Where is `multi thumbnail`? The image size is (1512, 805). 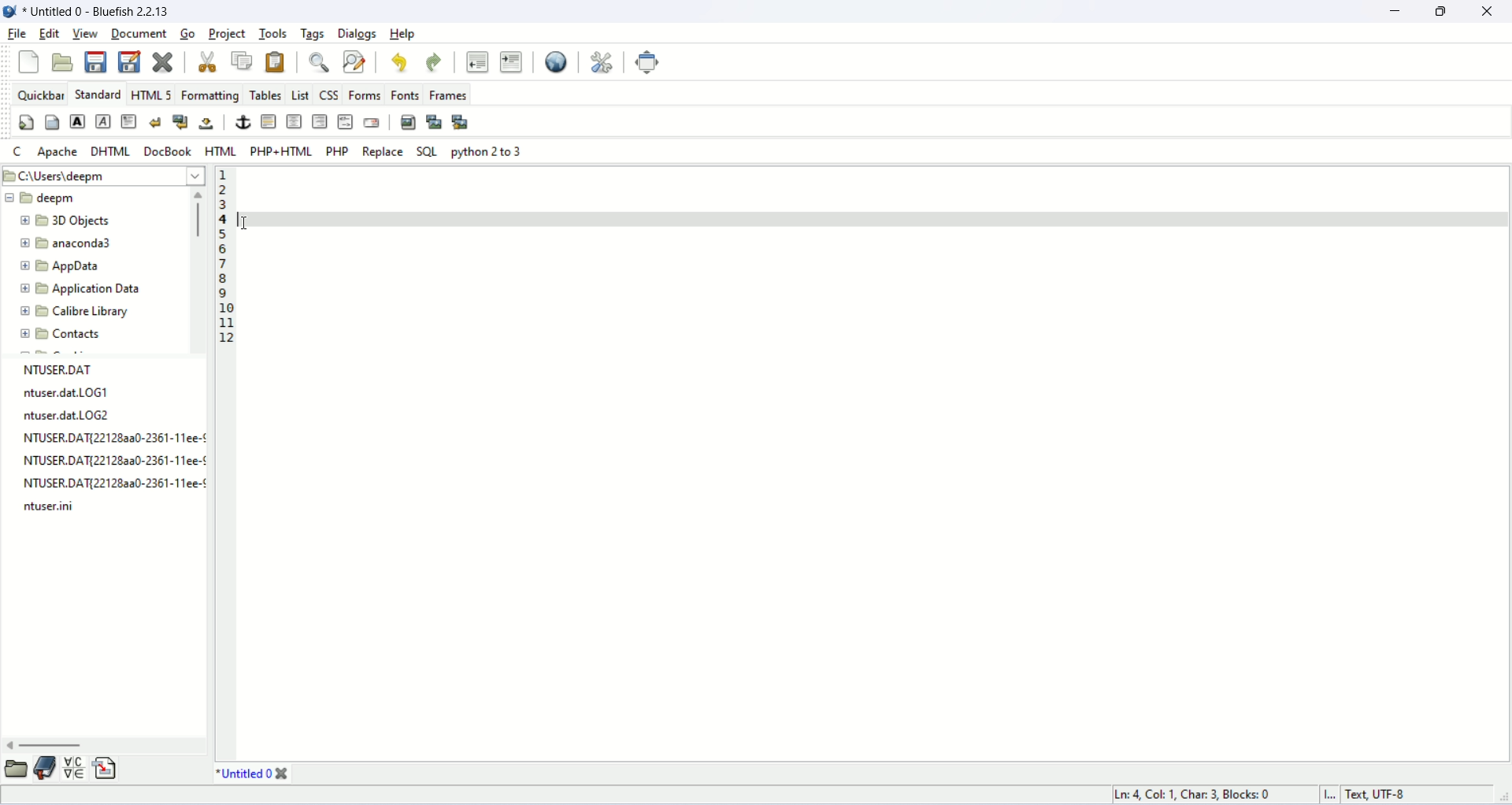
multi thumbnail is located at coordinates (462, 122).